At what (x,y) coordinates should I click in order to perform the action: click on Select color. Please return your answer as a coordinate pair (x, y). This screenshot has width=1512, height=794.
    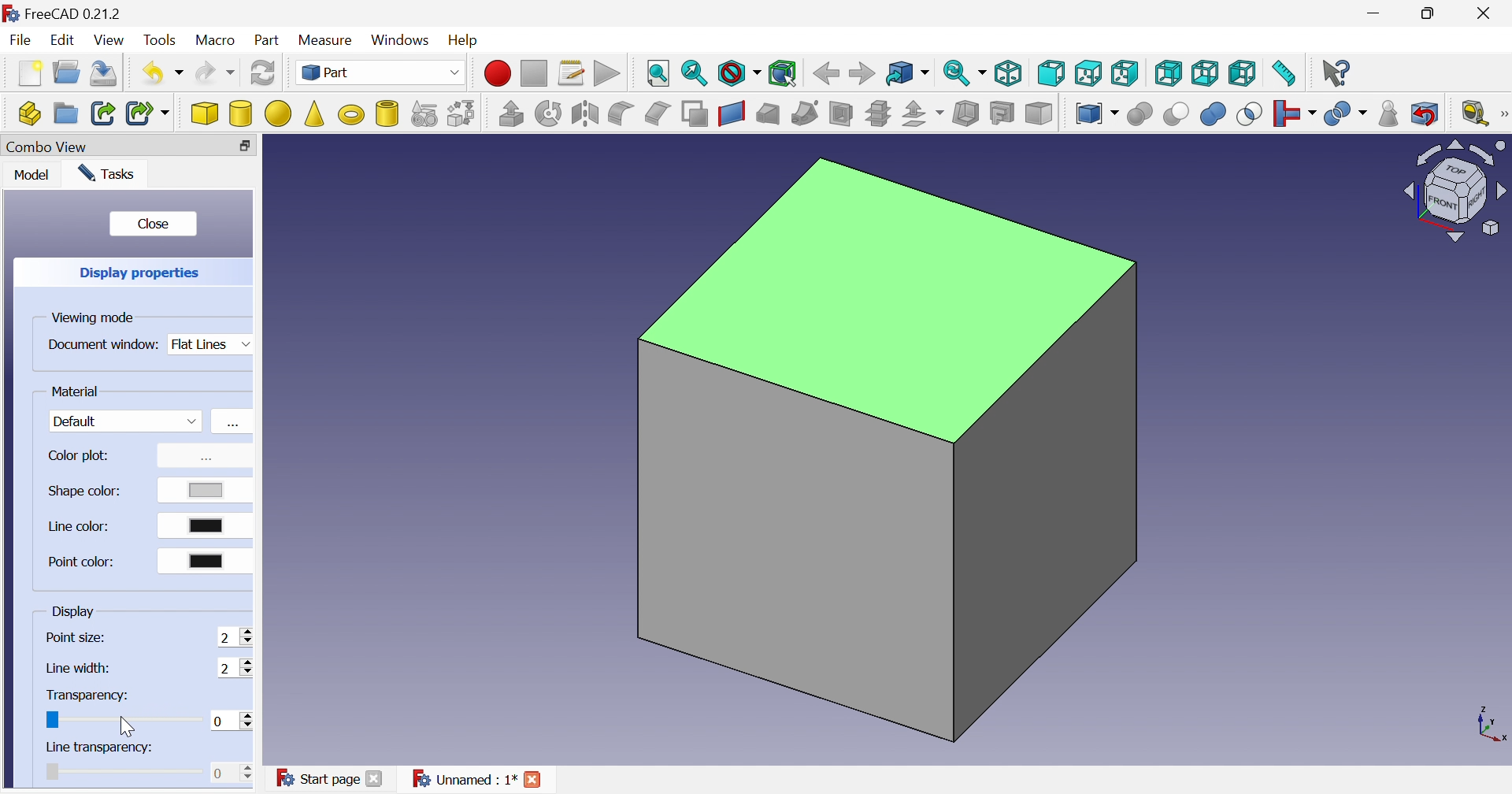
    Looking at the image, I should click on (206, 525).